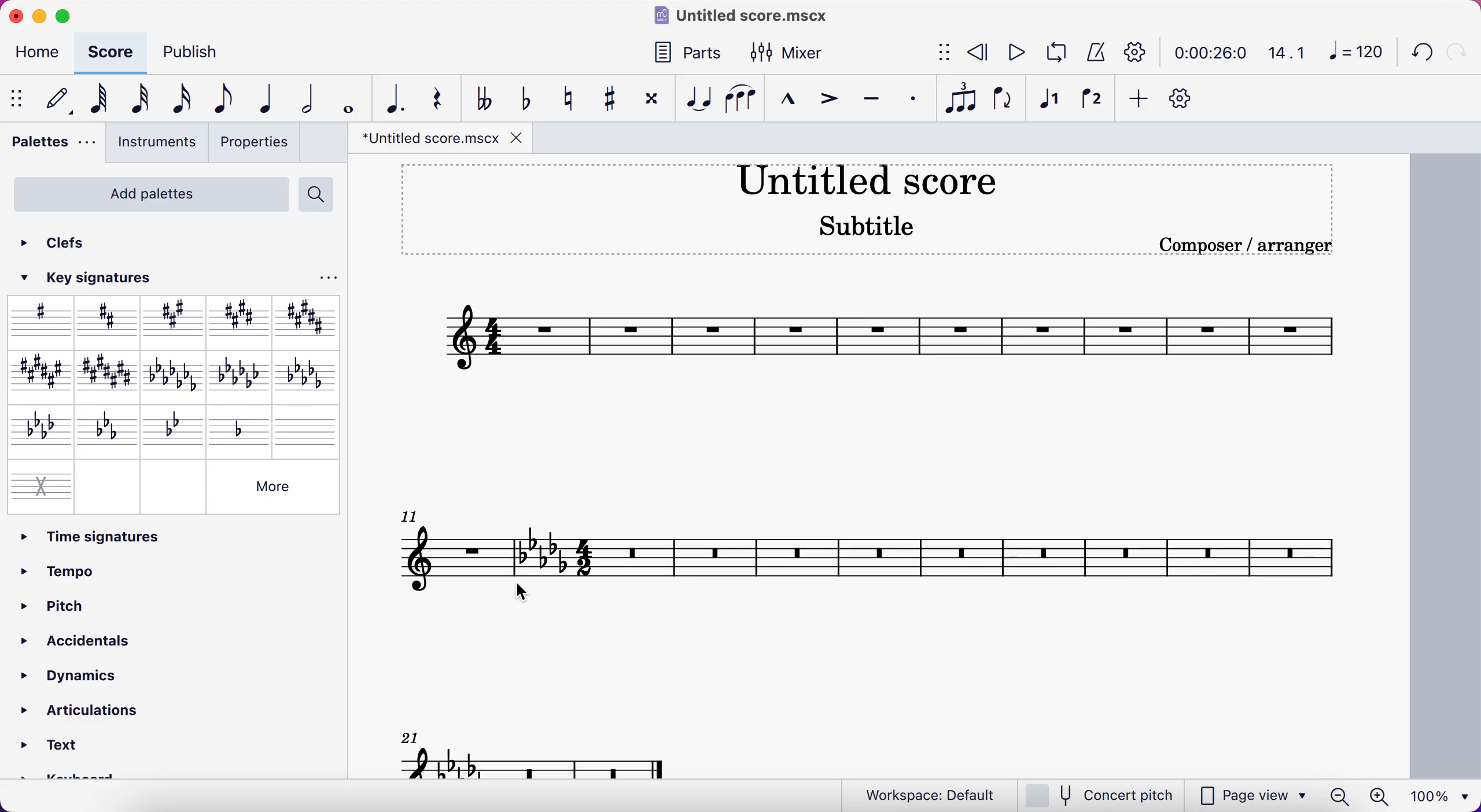  Describe the element at coordinates (396, 97) in the screenshot. I see `augmentation note` at that location.